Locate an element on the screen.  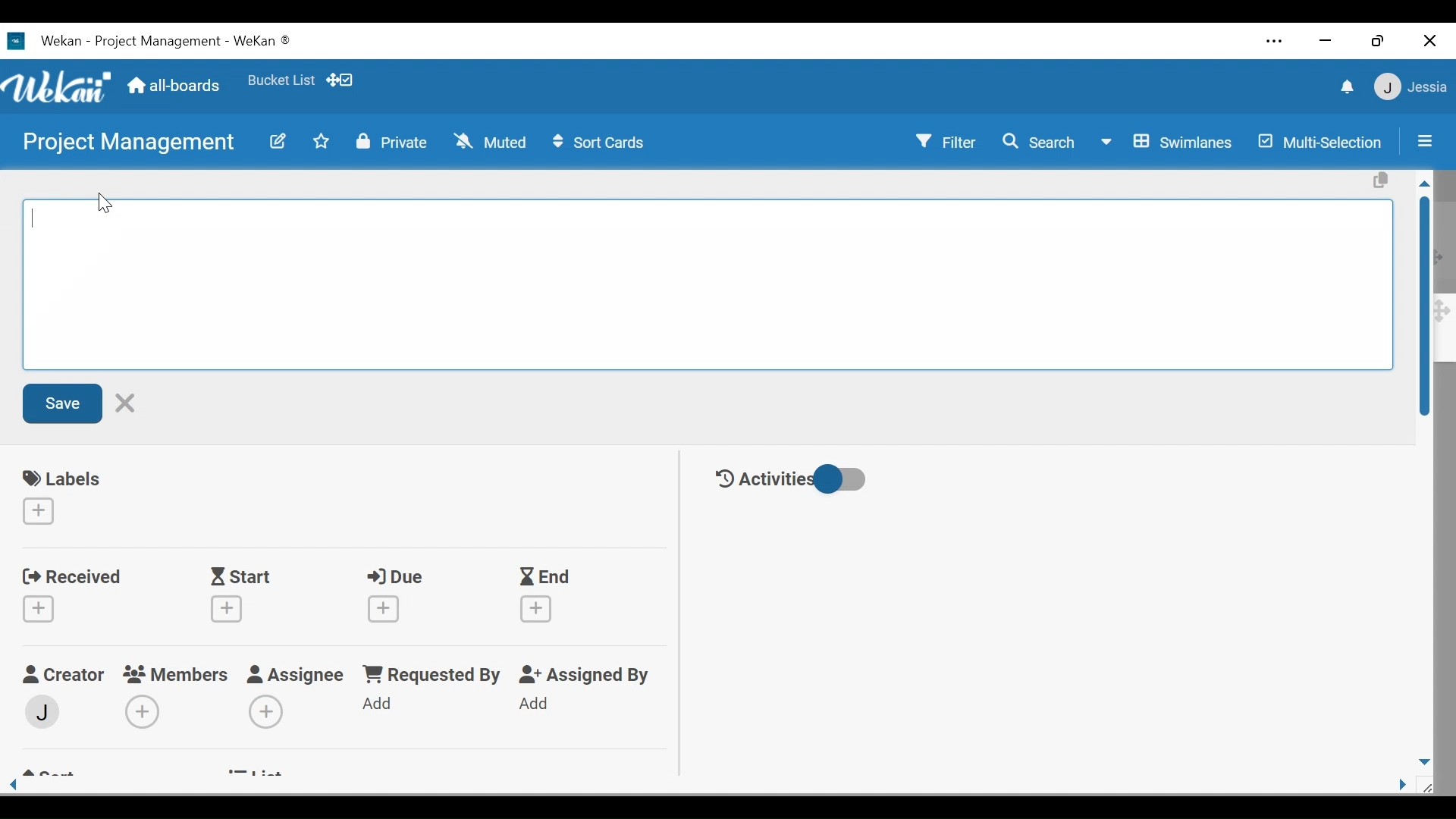
Add Members is located at coordinates (143, 712).